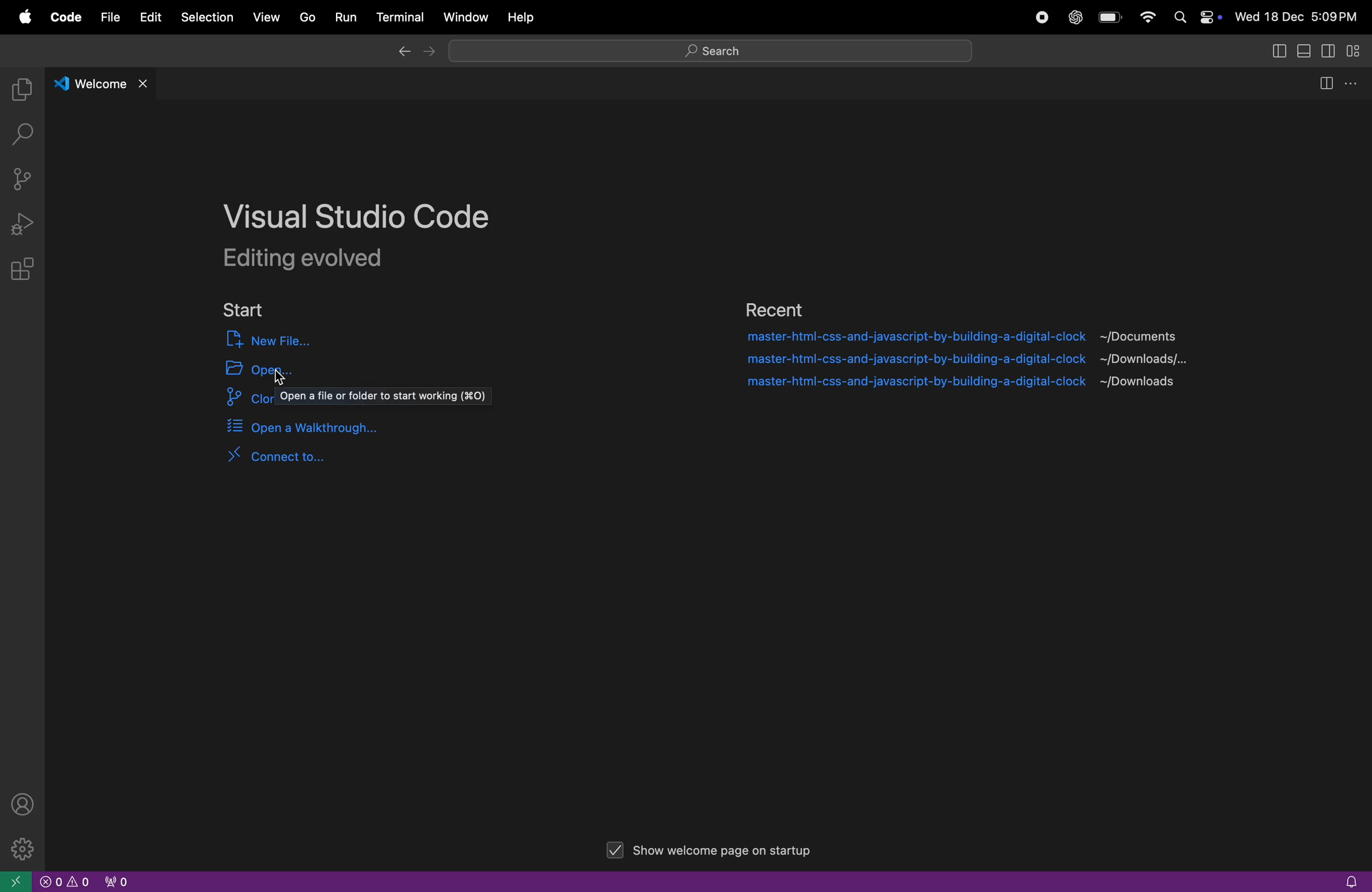  What do you see at coordinates (27, 803) in the screenshot?
I see `profile` at bounding box center [27, 803].